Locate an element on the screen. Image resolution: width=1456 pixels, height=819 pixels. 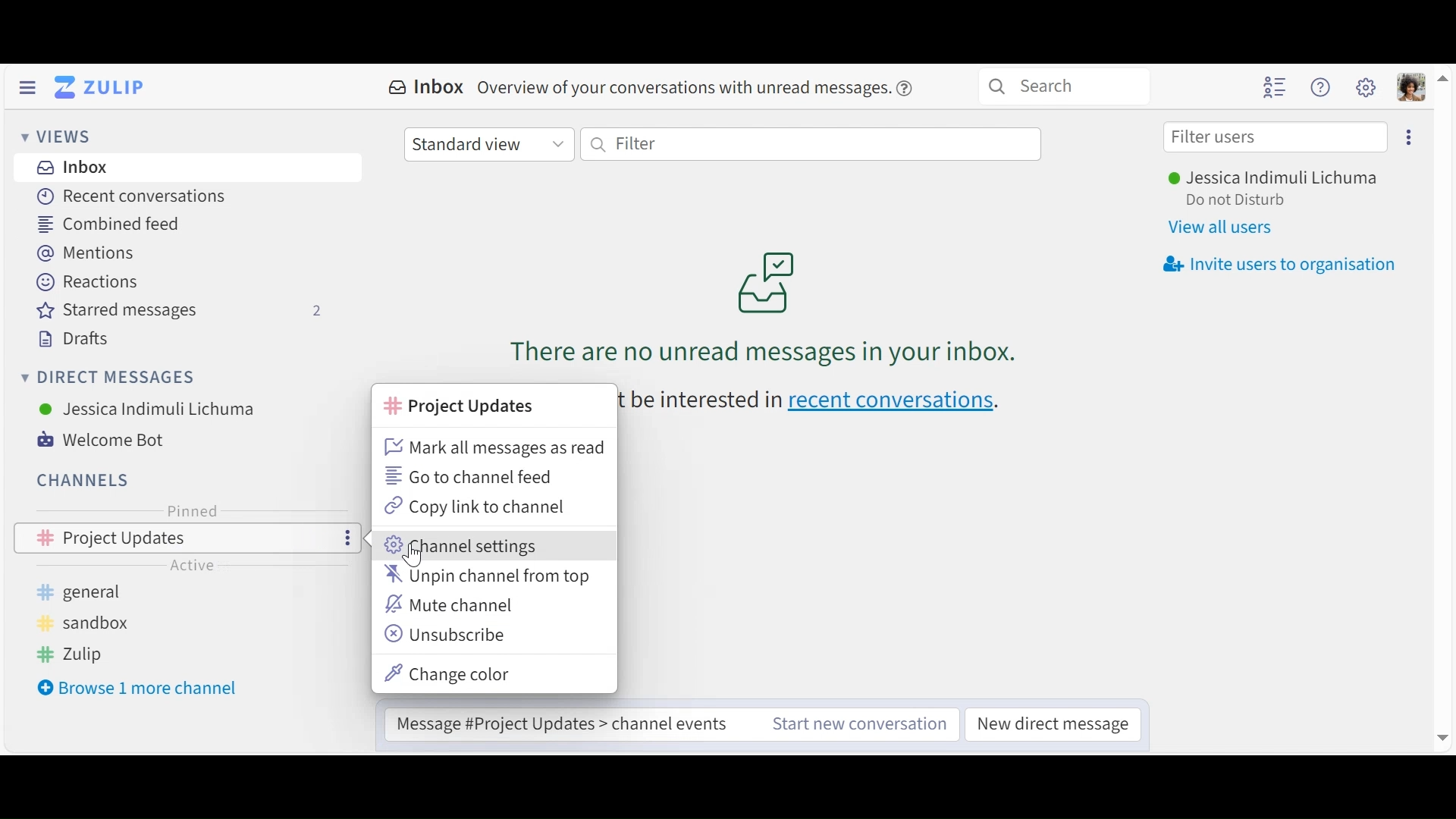
#channel is located at coordinates (463, 406).